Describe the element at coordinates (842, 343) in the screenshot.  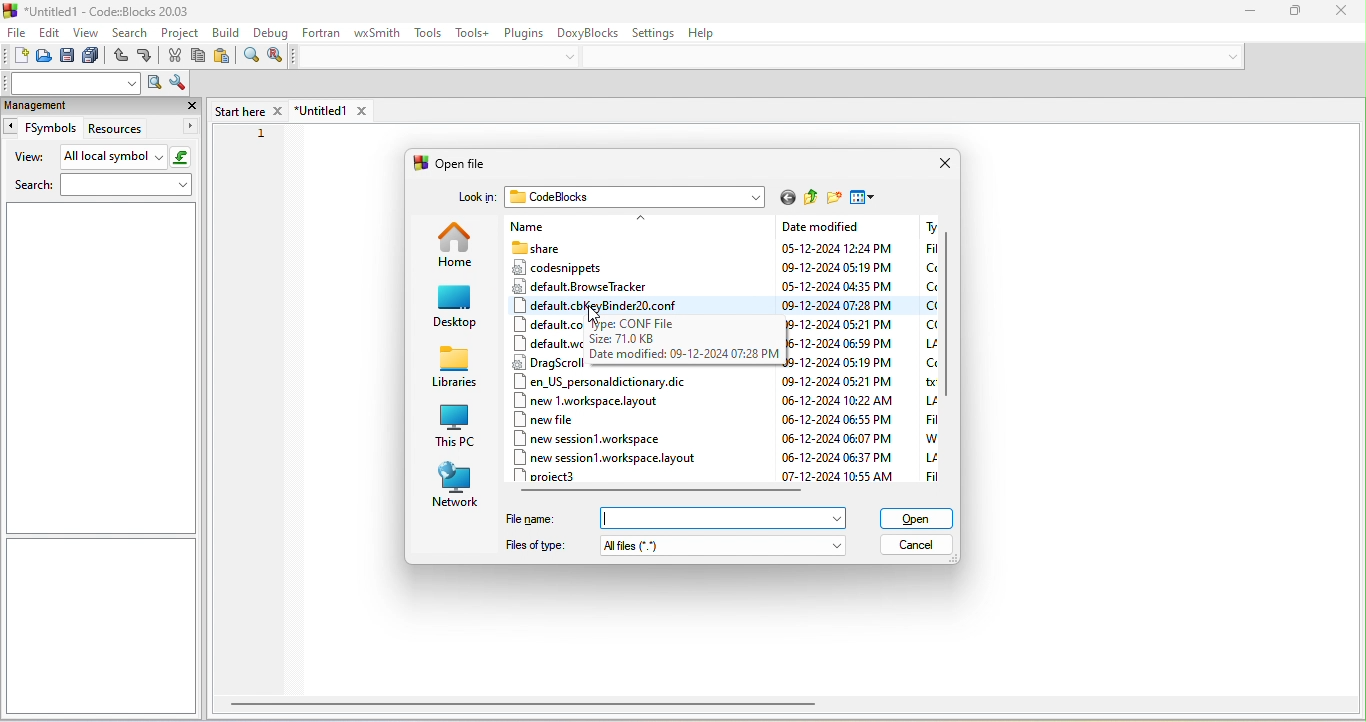
I see `date` at that location.